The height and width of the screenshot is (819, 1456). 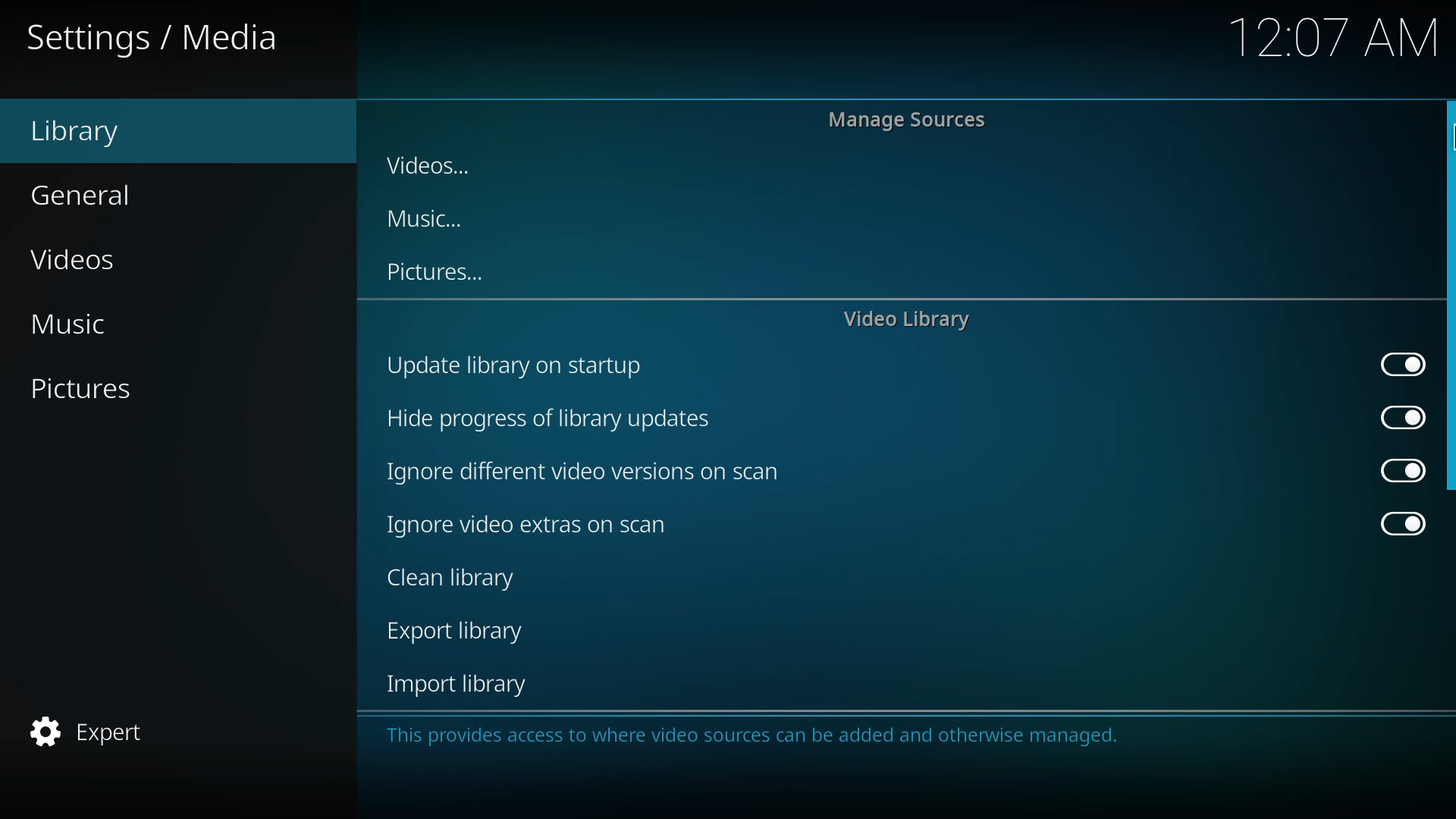 I want to click on manage sources, so click(x=903, y=119).